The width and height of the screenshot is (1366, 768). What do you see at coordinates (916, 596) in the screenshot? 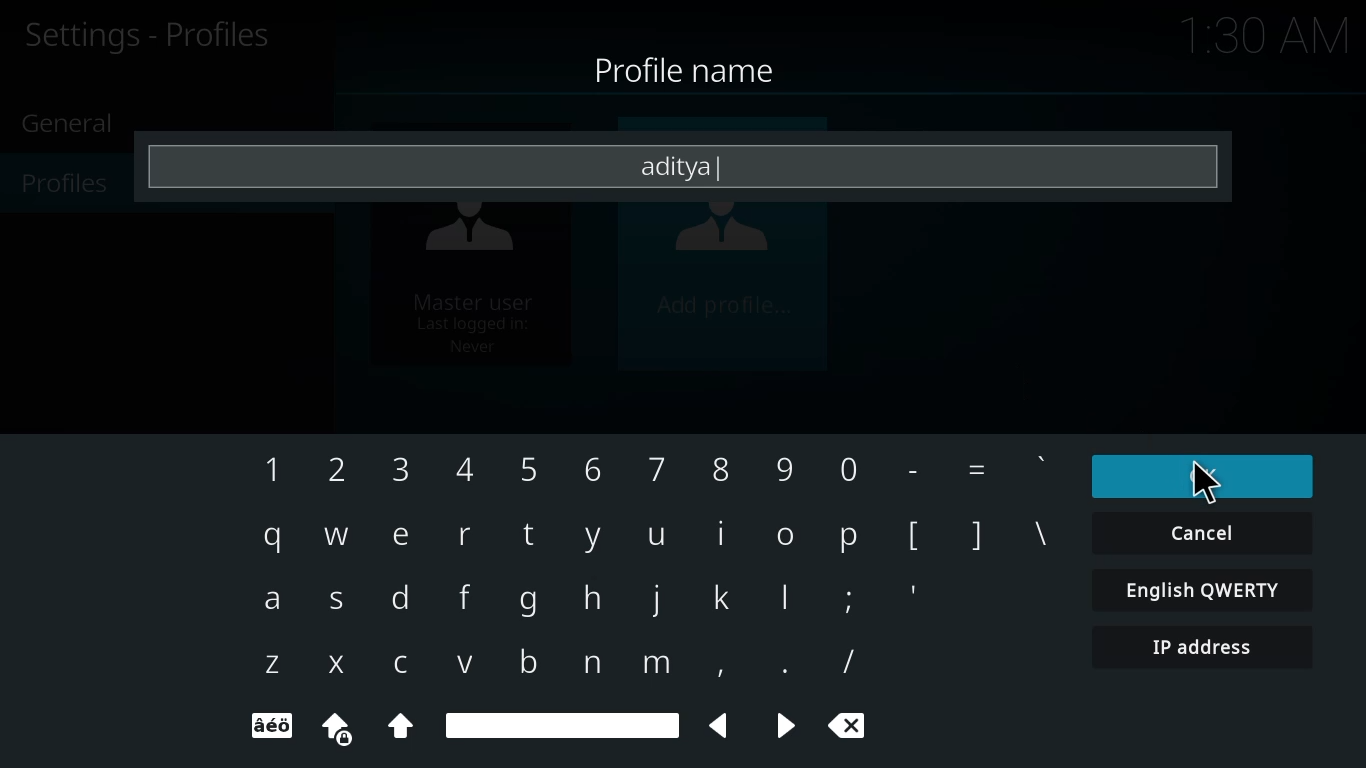
I see `'` at bounding box center [916, 596].